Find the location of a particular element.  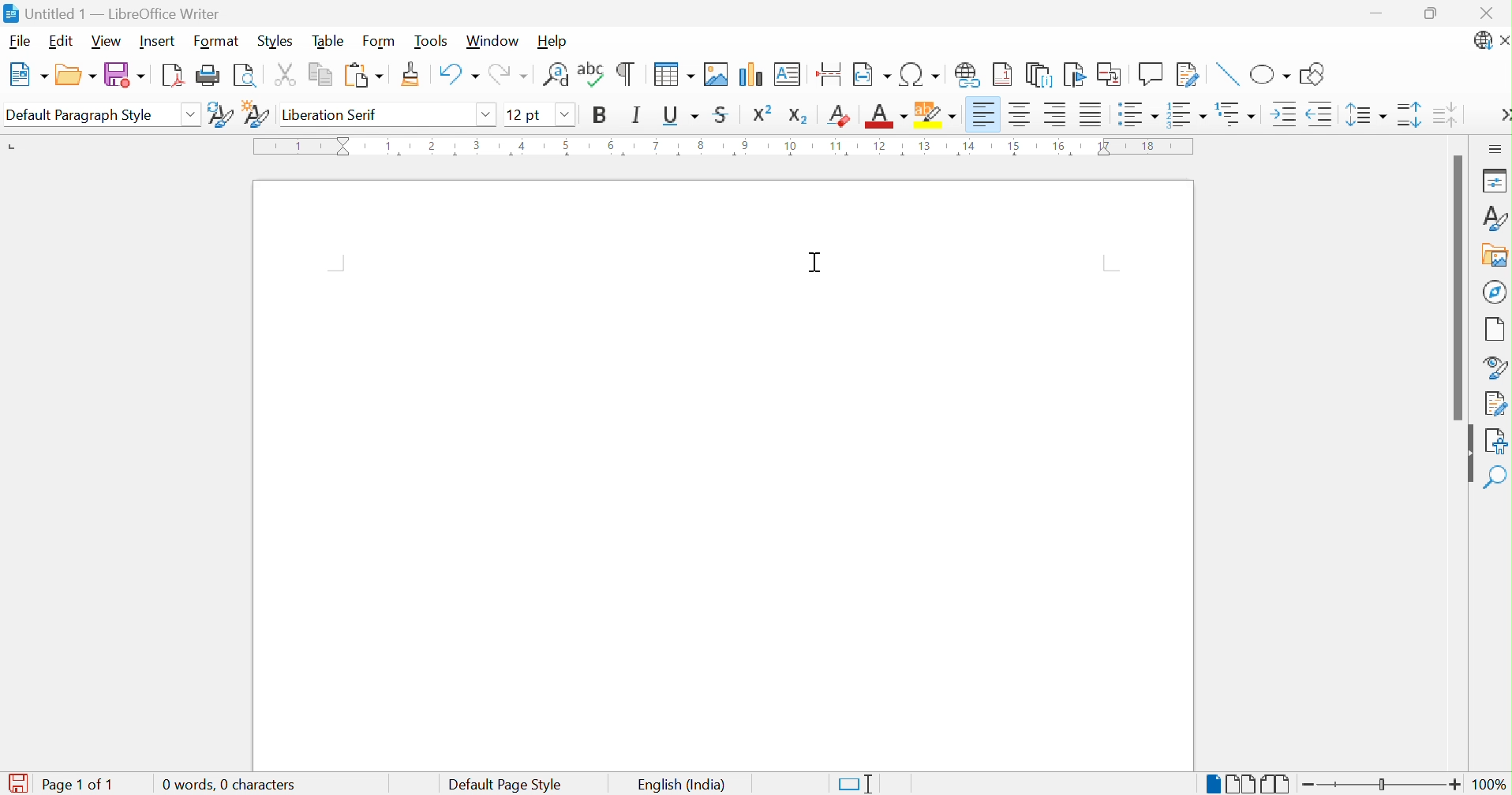

Accessibility check is located at coordinates (1497, 439).